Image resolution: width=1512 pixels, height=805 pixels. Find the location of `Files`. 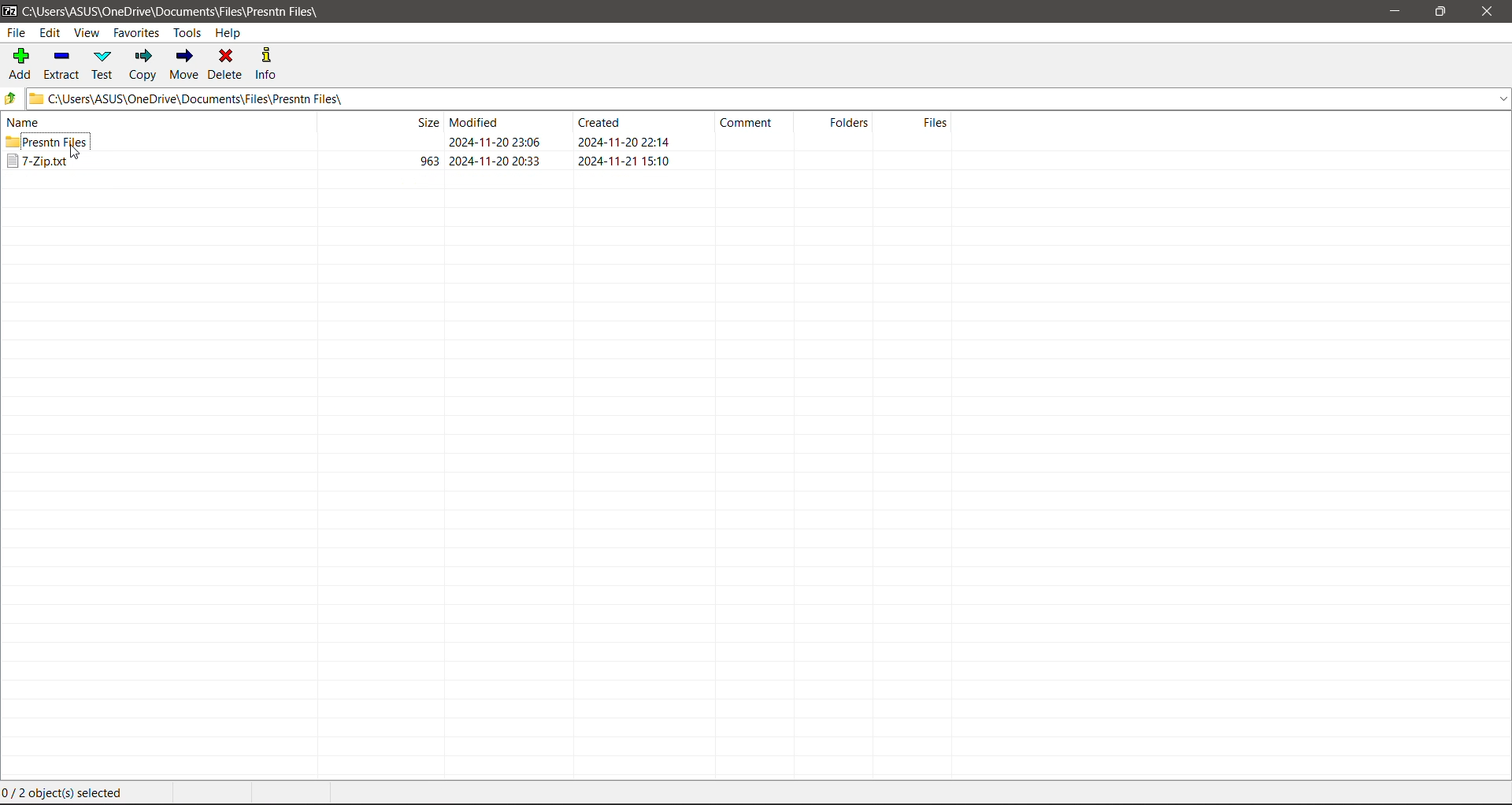

Files is located at coordinates (933, 120).